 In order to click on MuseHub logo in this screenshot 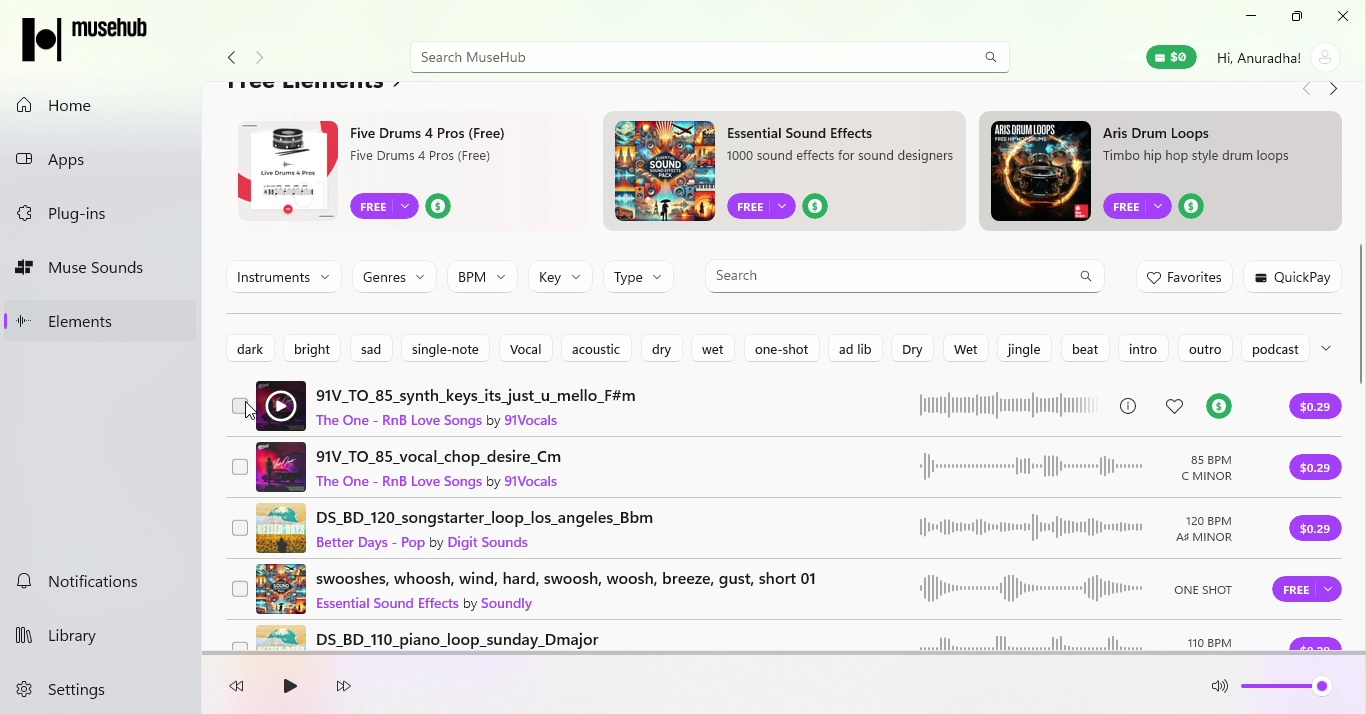, I will do `click(90, 38)`.